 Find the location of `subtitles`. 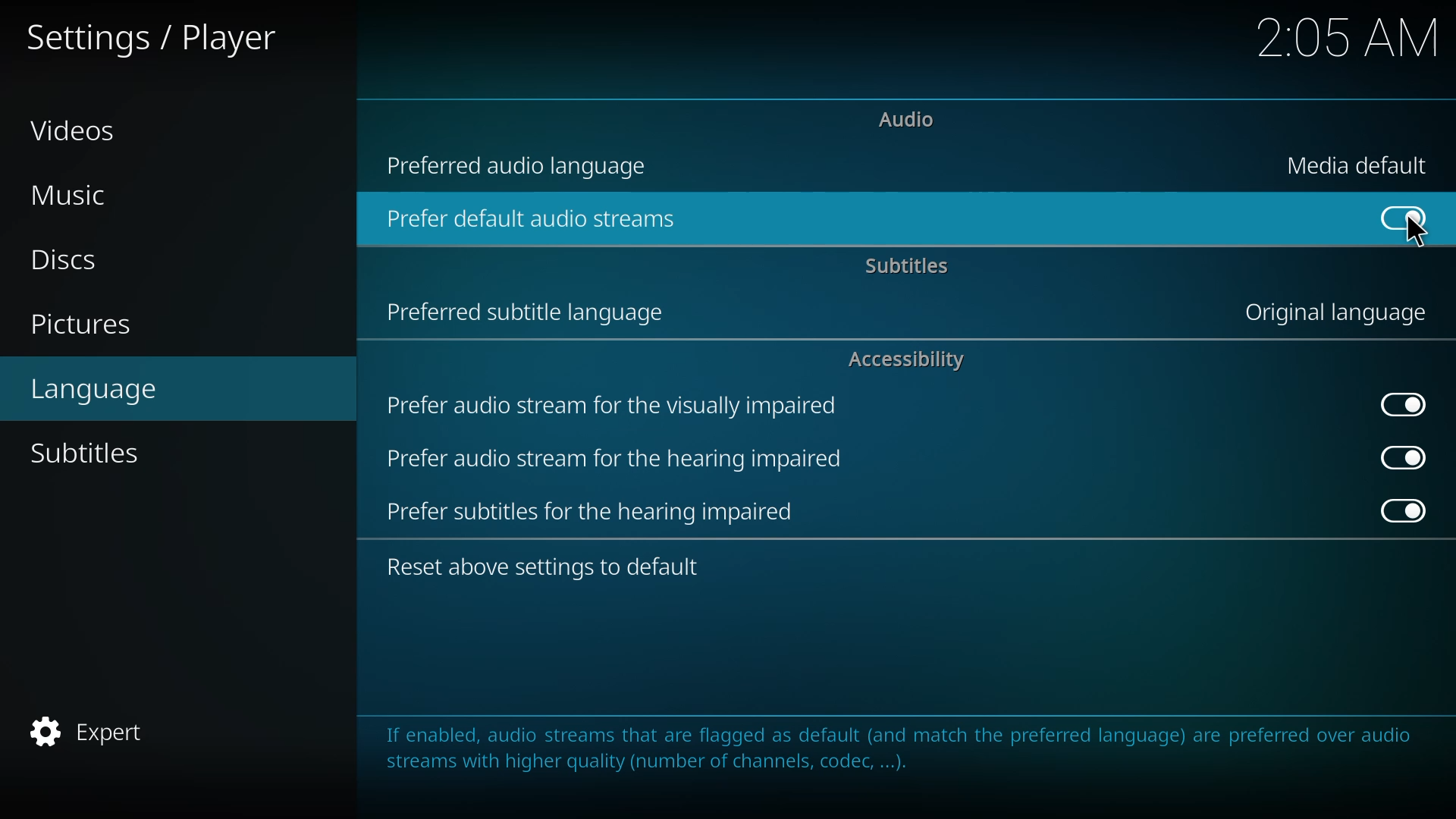

subtitles is located at coordinates (93, 453).